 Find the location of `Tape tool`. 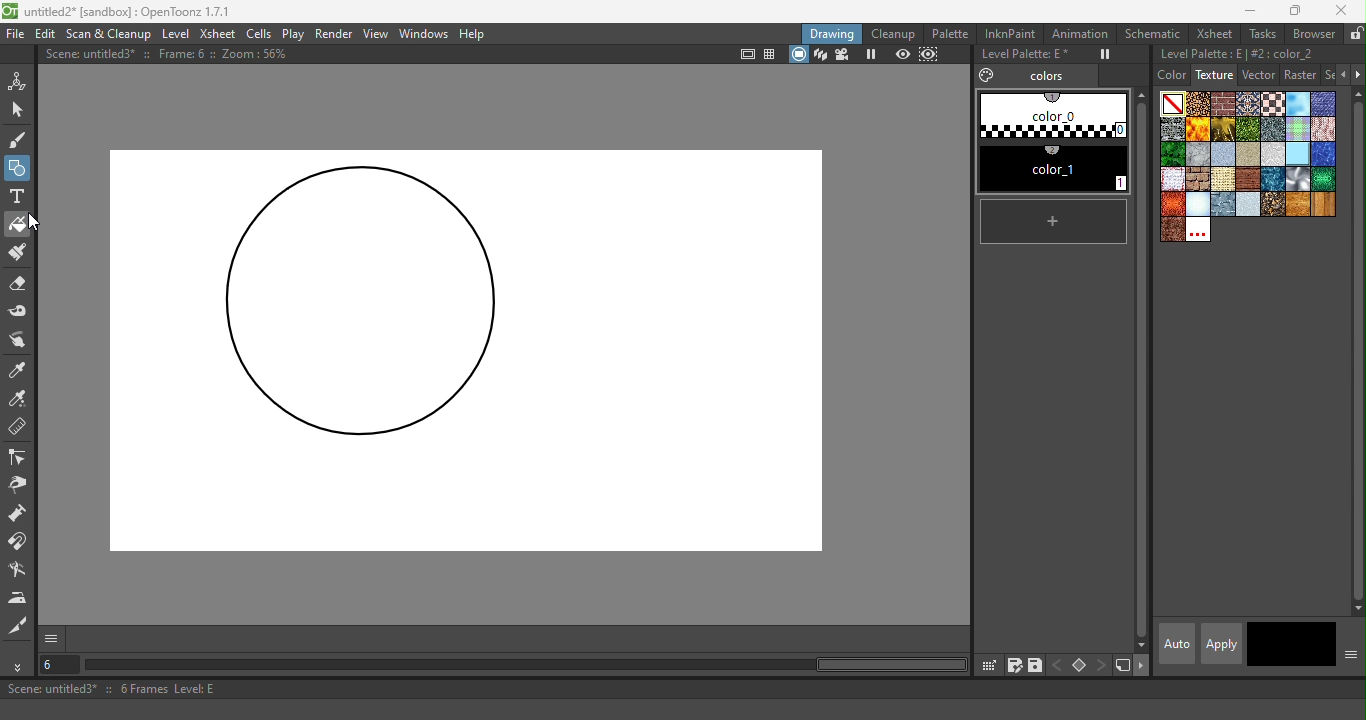

Tape tool is located at coordinates (21, 311).